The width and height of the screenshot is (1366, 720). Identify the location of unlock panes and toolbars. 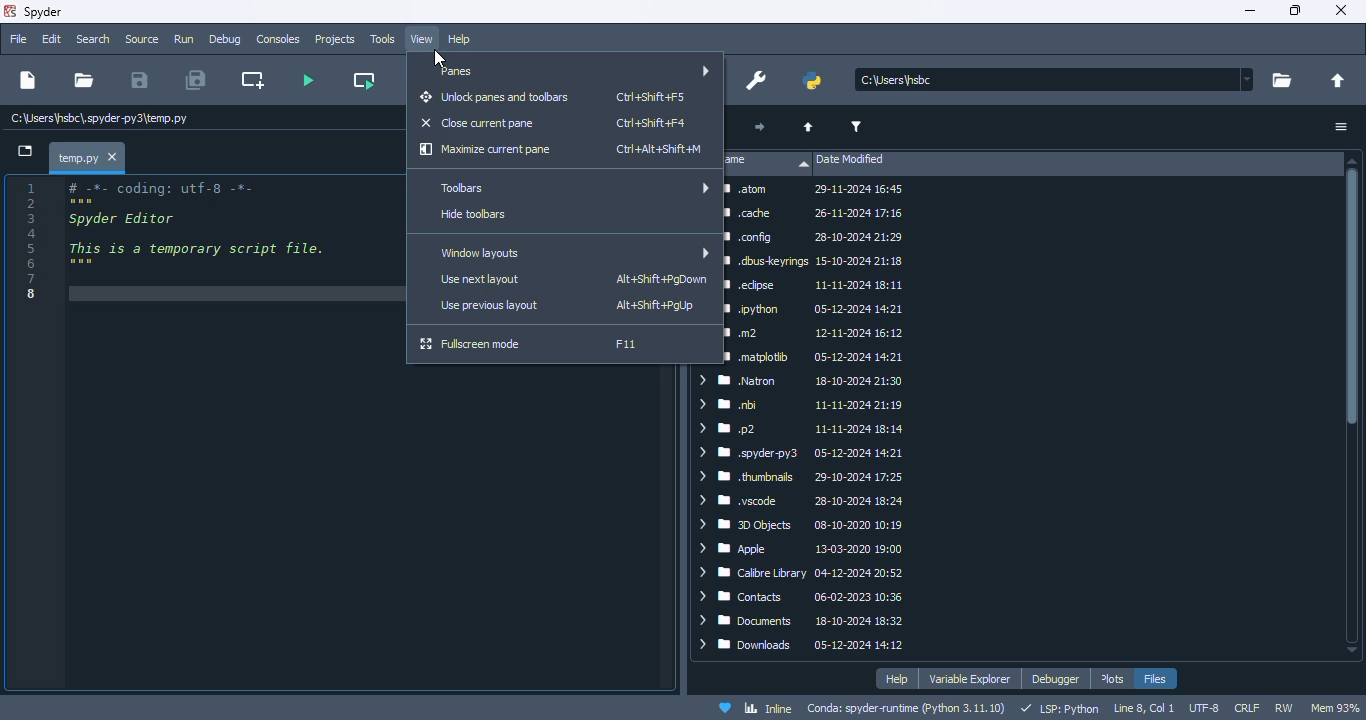
(496, 97).